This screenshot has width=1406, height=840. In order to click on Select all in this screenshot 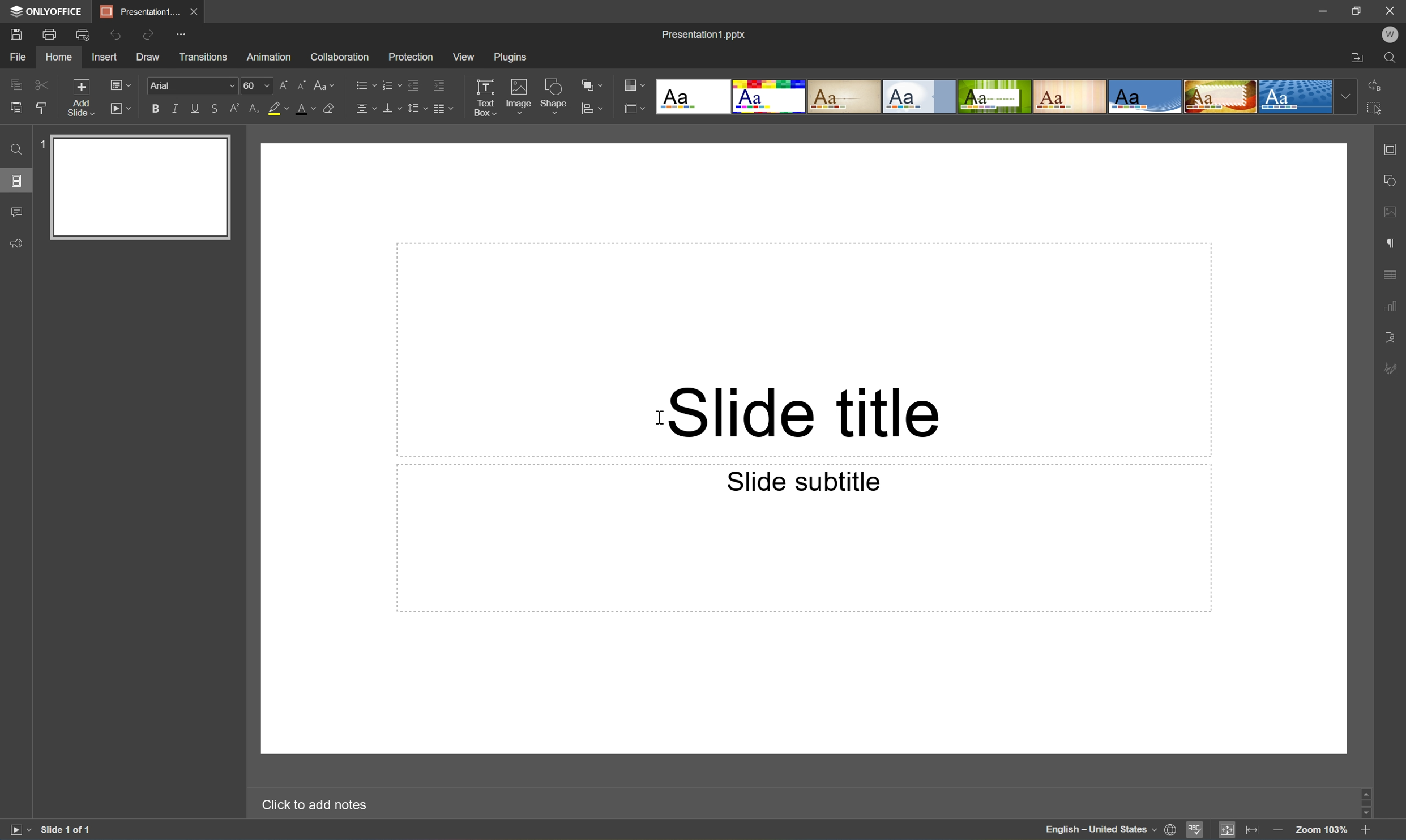, I will do `click(1375, 109)`.